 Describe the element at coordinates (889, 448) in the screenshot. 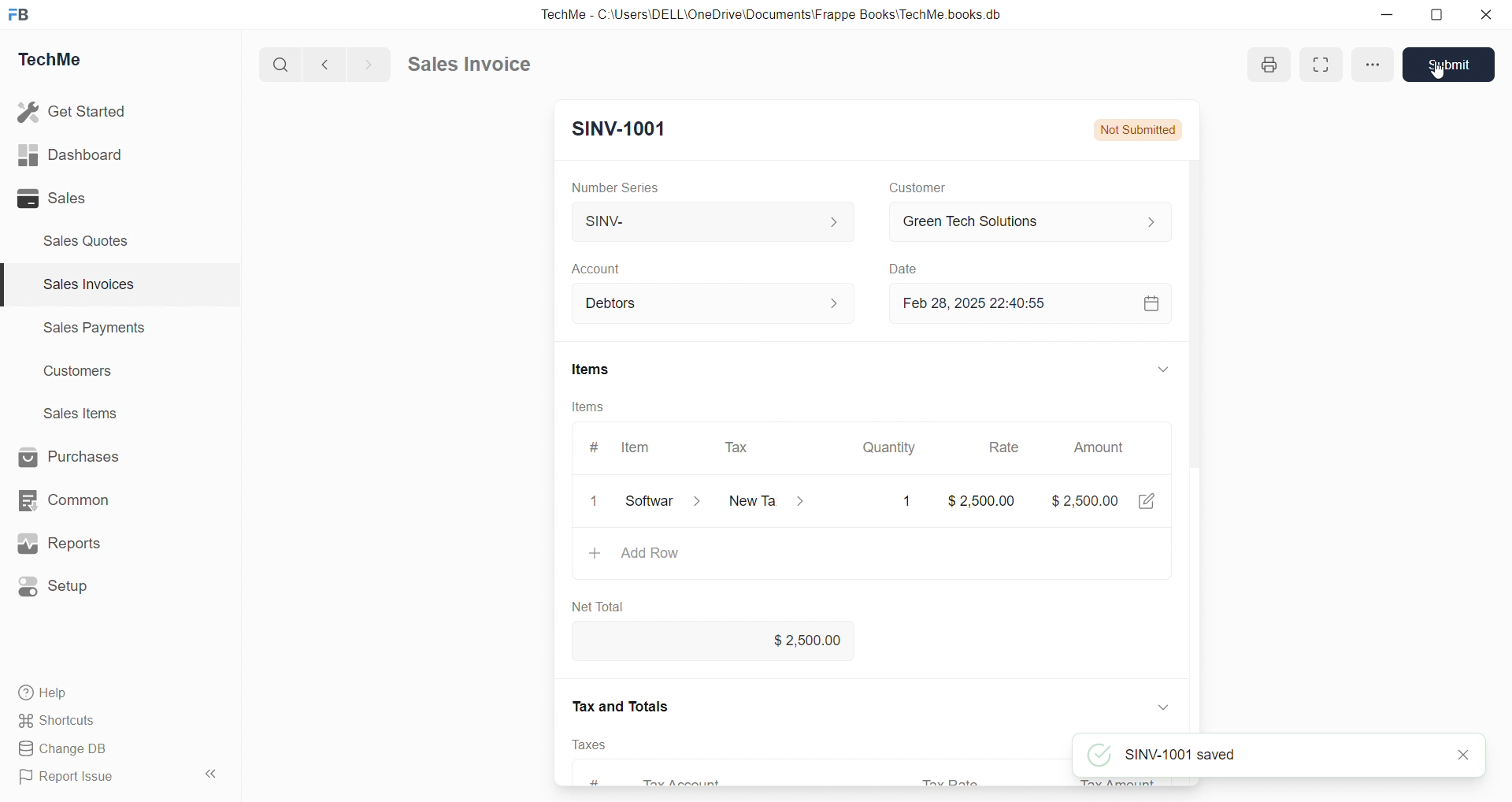

I see `Quantity` at that location.